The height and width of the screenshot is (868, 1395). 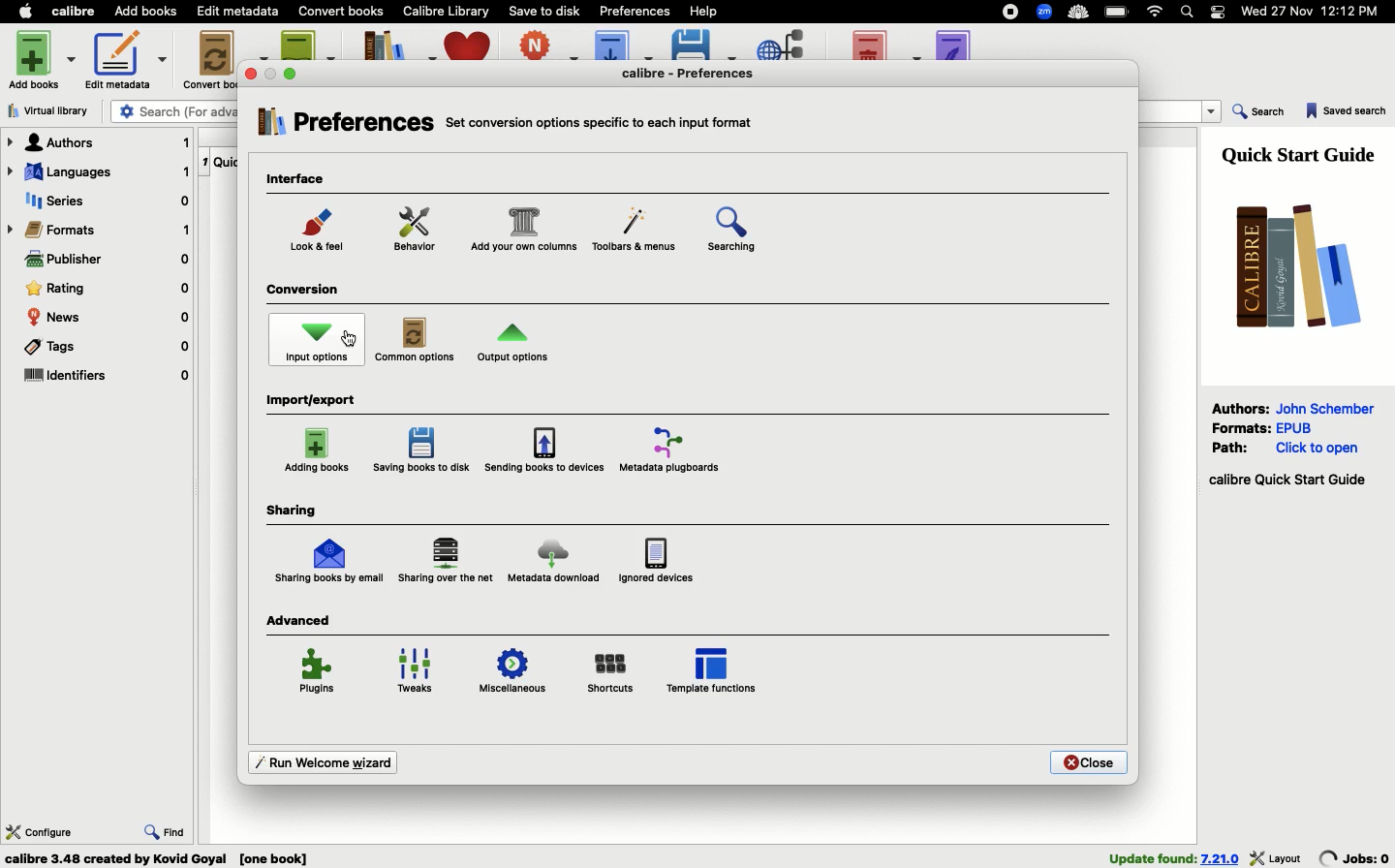 What do you see at coordinates (1303, 153) in the screenshot?
I see `Guide` at bounding box center [1303, 153].